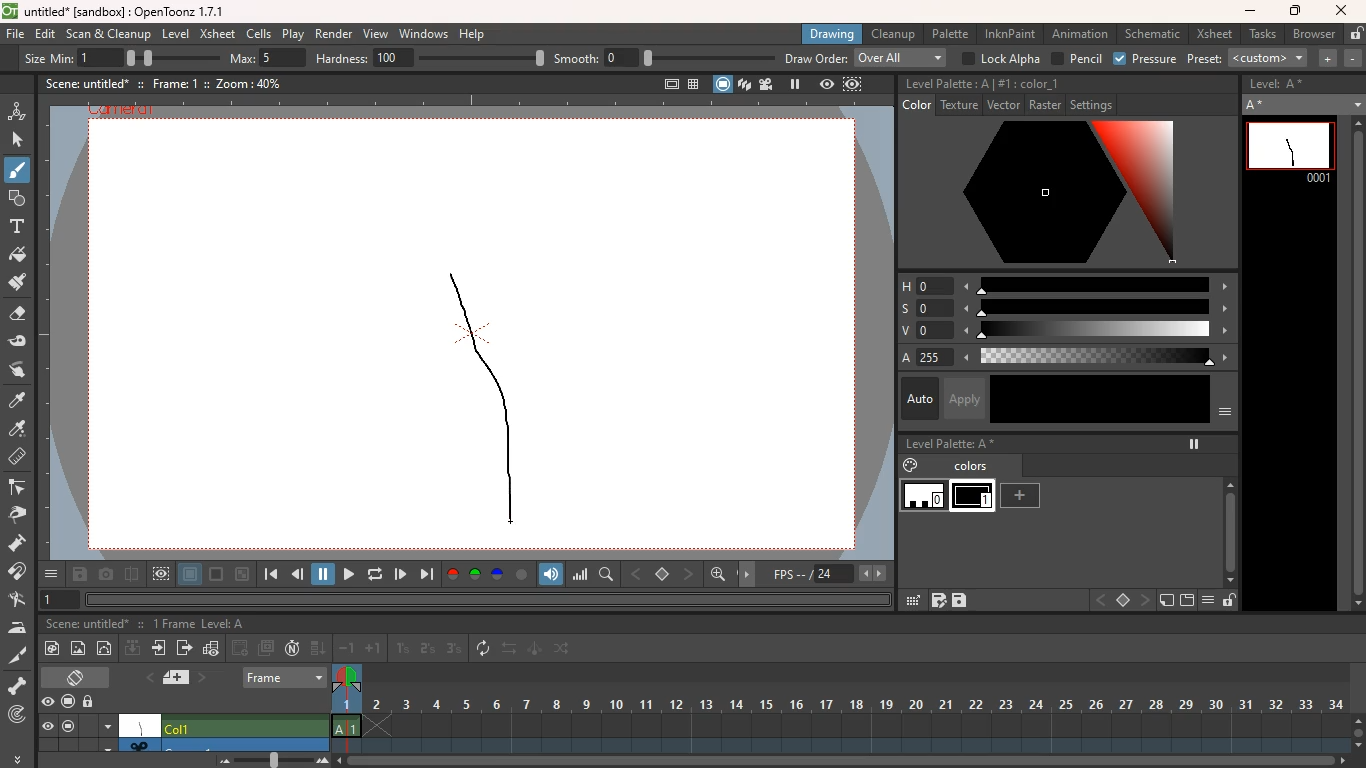  I want to click on back, so click(1099, 600).